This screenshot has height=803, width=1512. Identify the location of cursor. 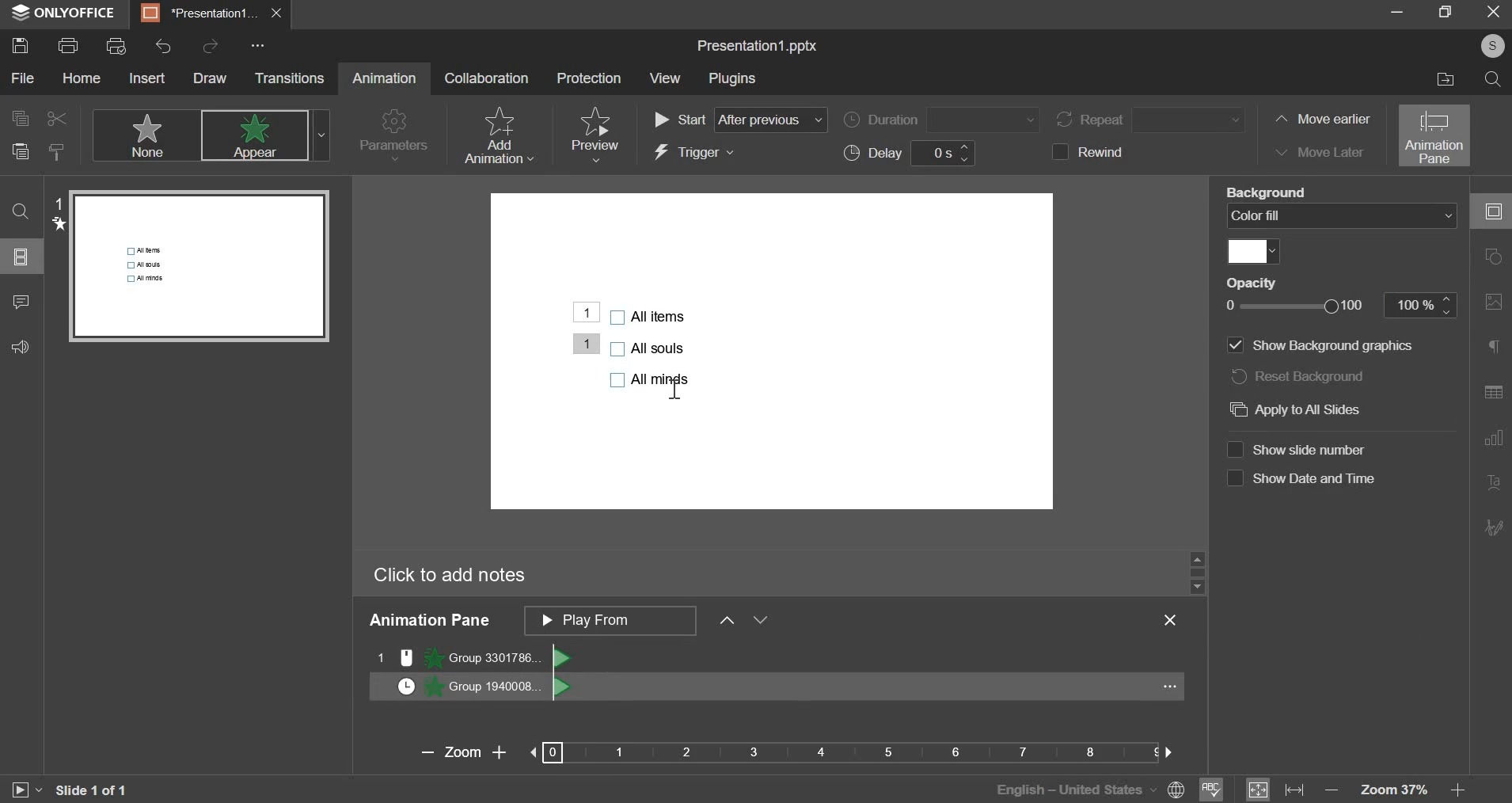
(674, 390).